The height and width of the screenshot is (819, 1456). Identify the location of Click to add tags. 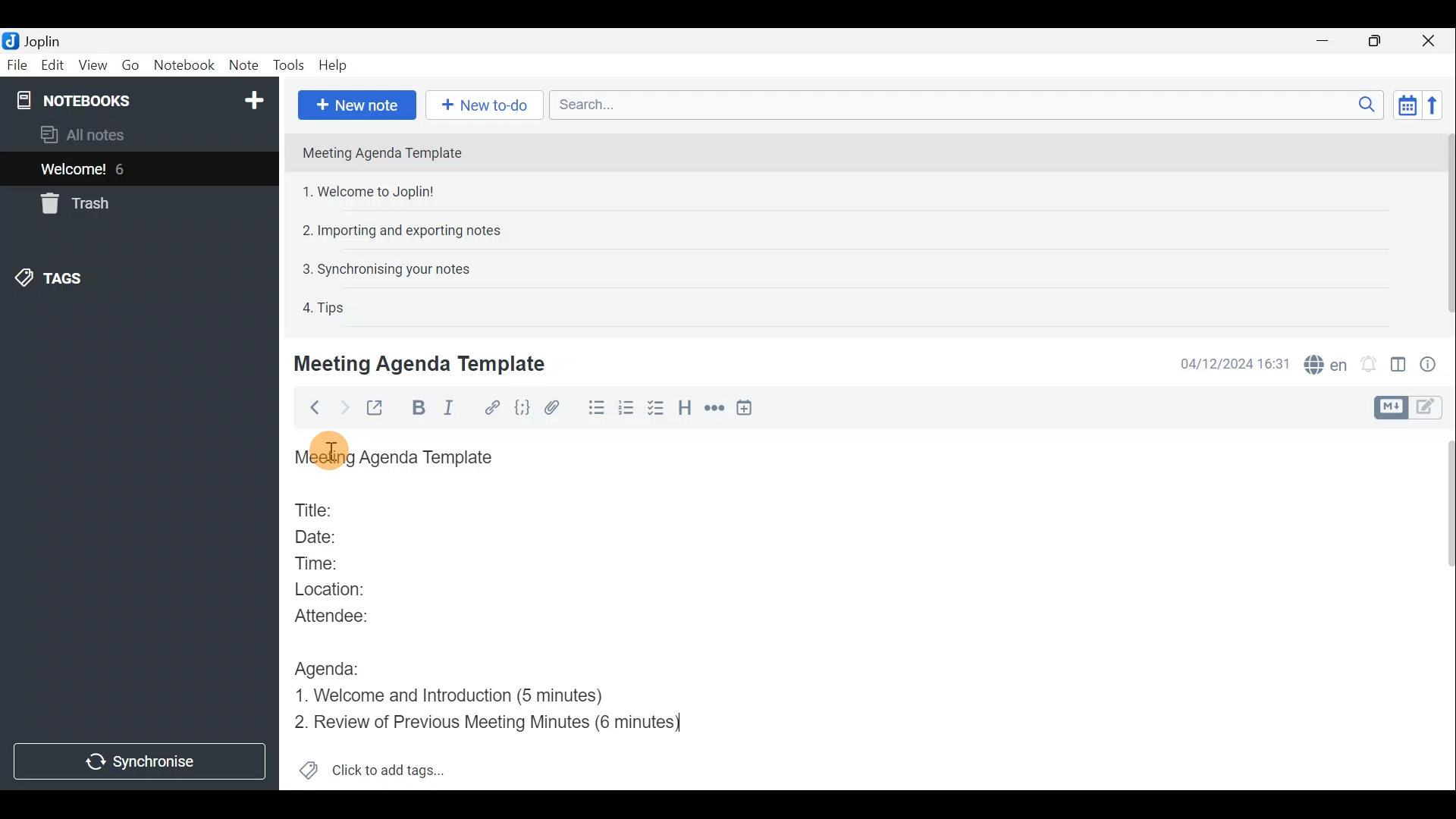
(393, 767).